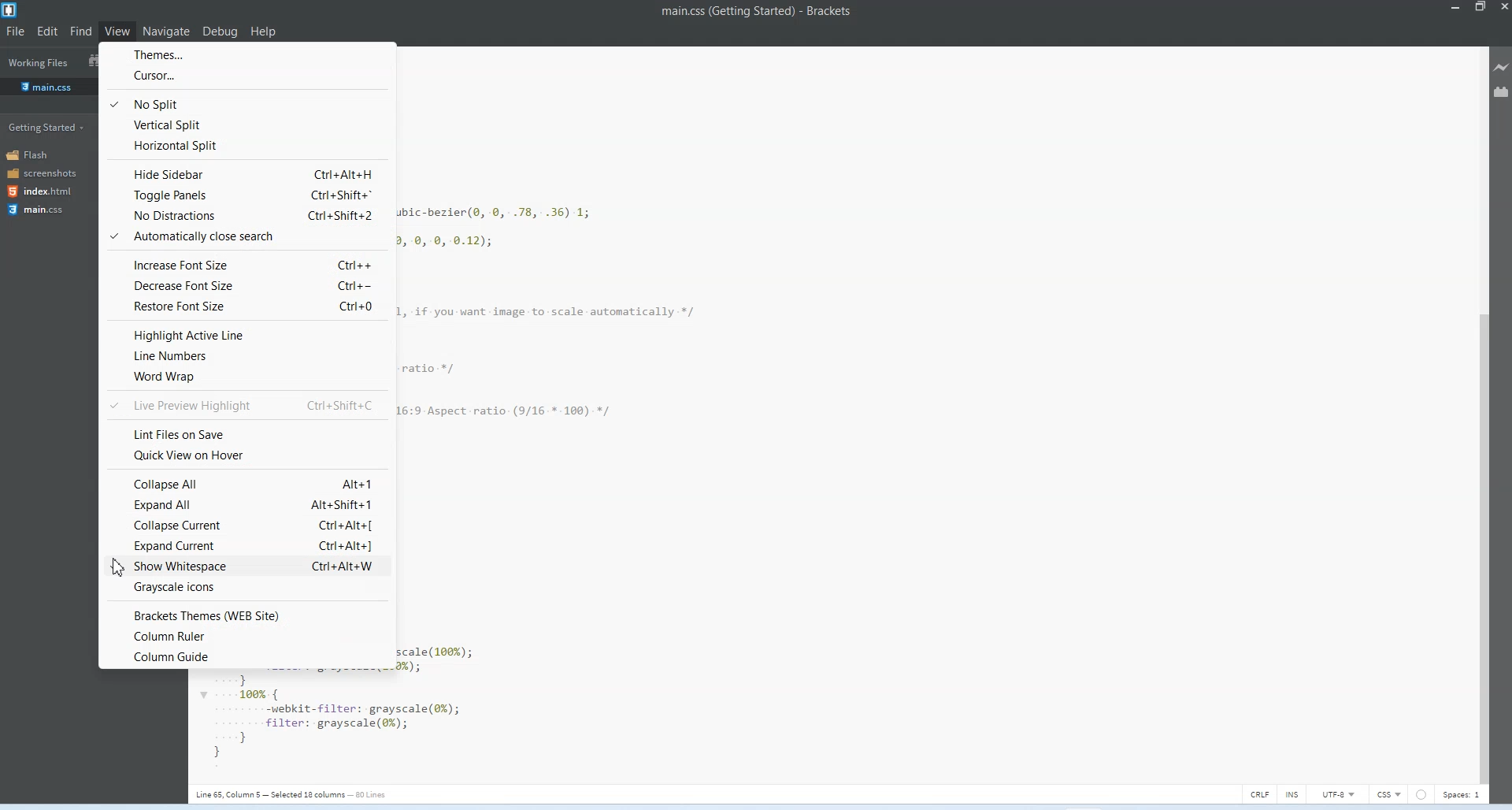  I want to click on CRLF, so click(1261, 793).